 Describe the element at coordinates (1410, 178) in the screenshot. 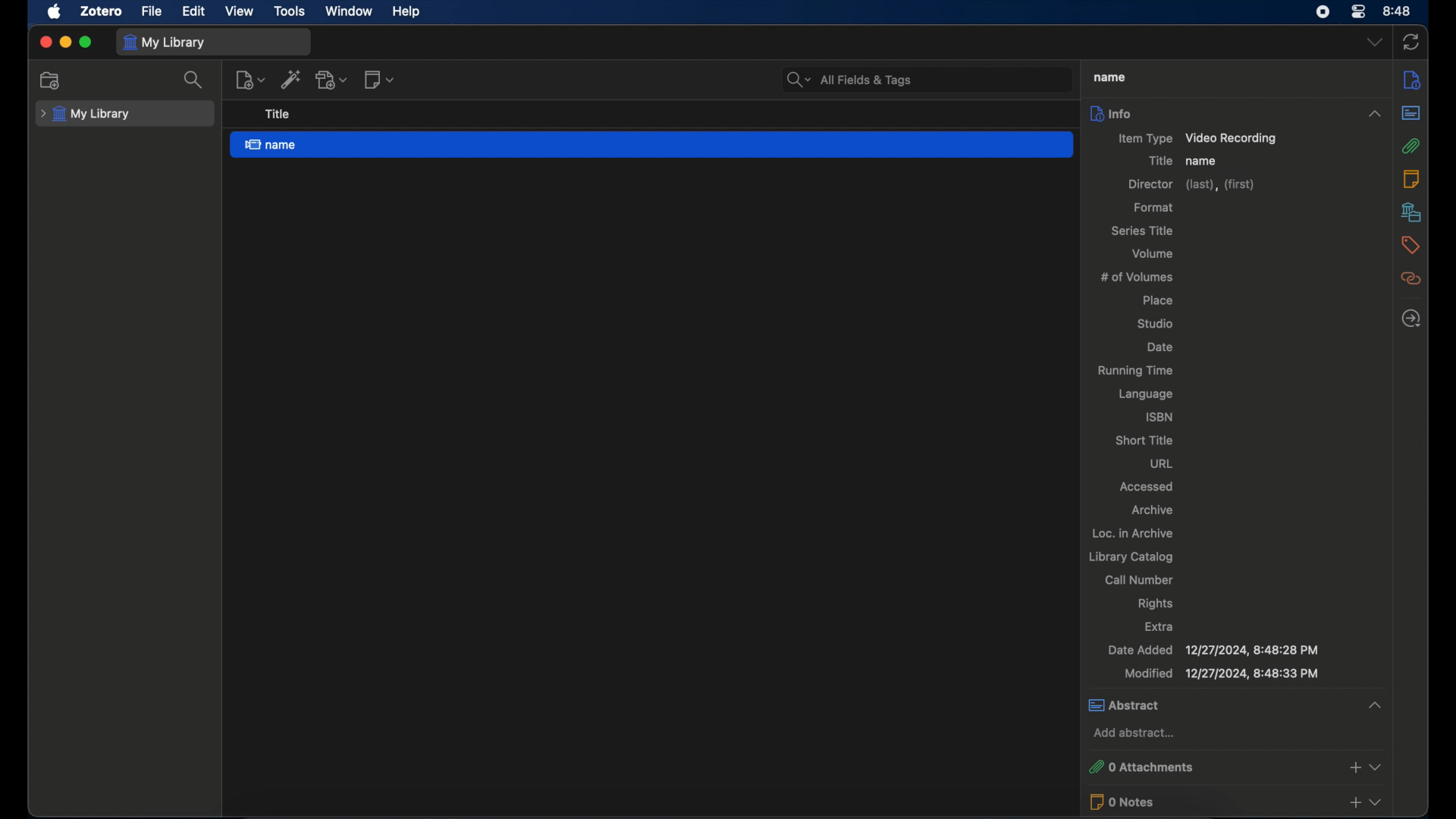

I see `notes` at that location.